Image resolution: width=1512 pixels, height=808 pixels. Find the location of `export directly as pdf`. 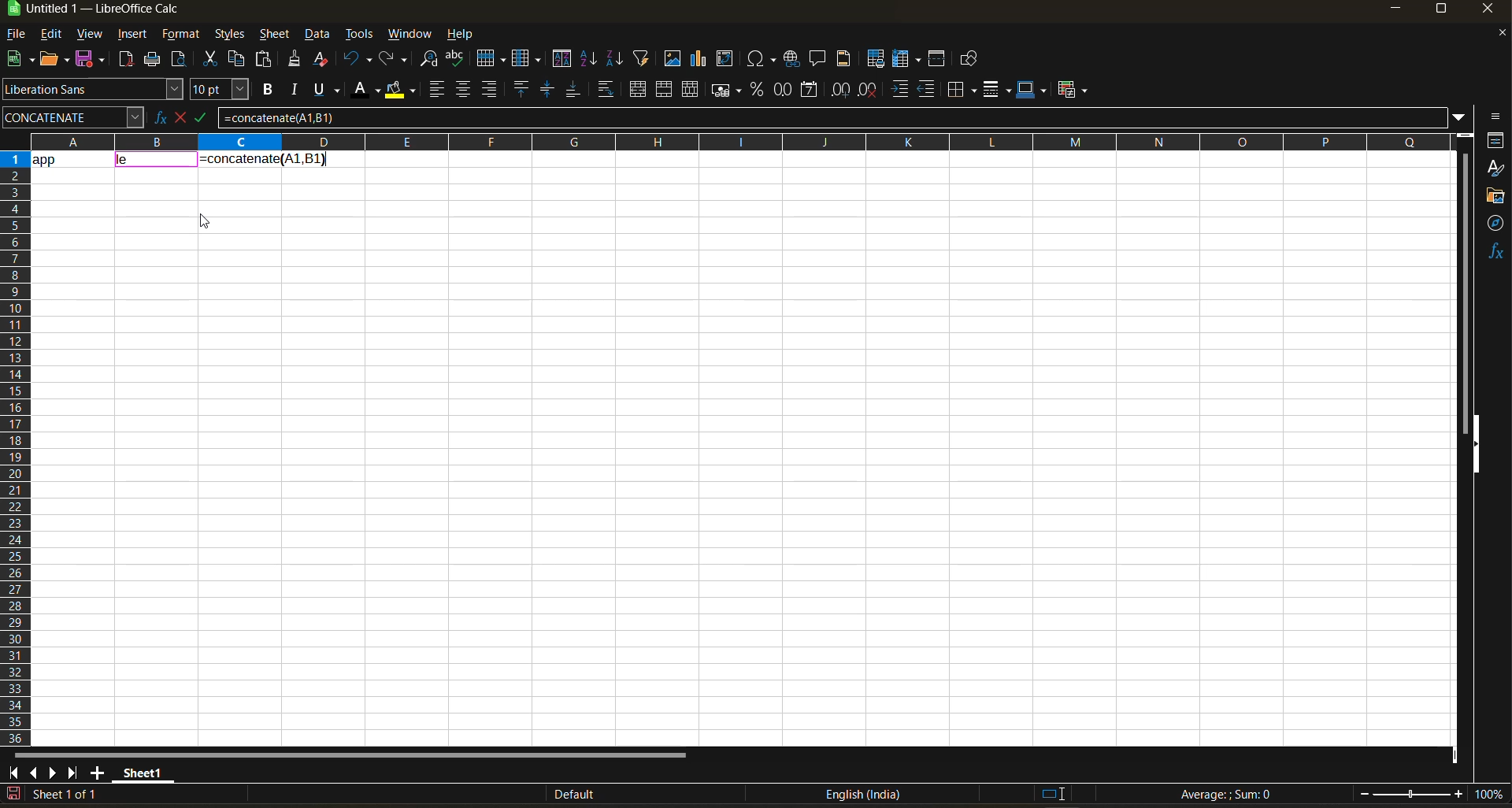

export directly as pdf is located at coordinates (125, 61).